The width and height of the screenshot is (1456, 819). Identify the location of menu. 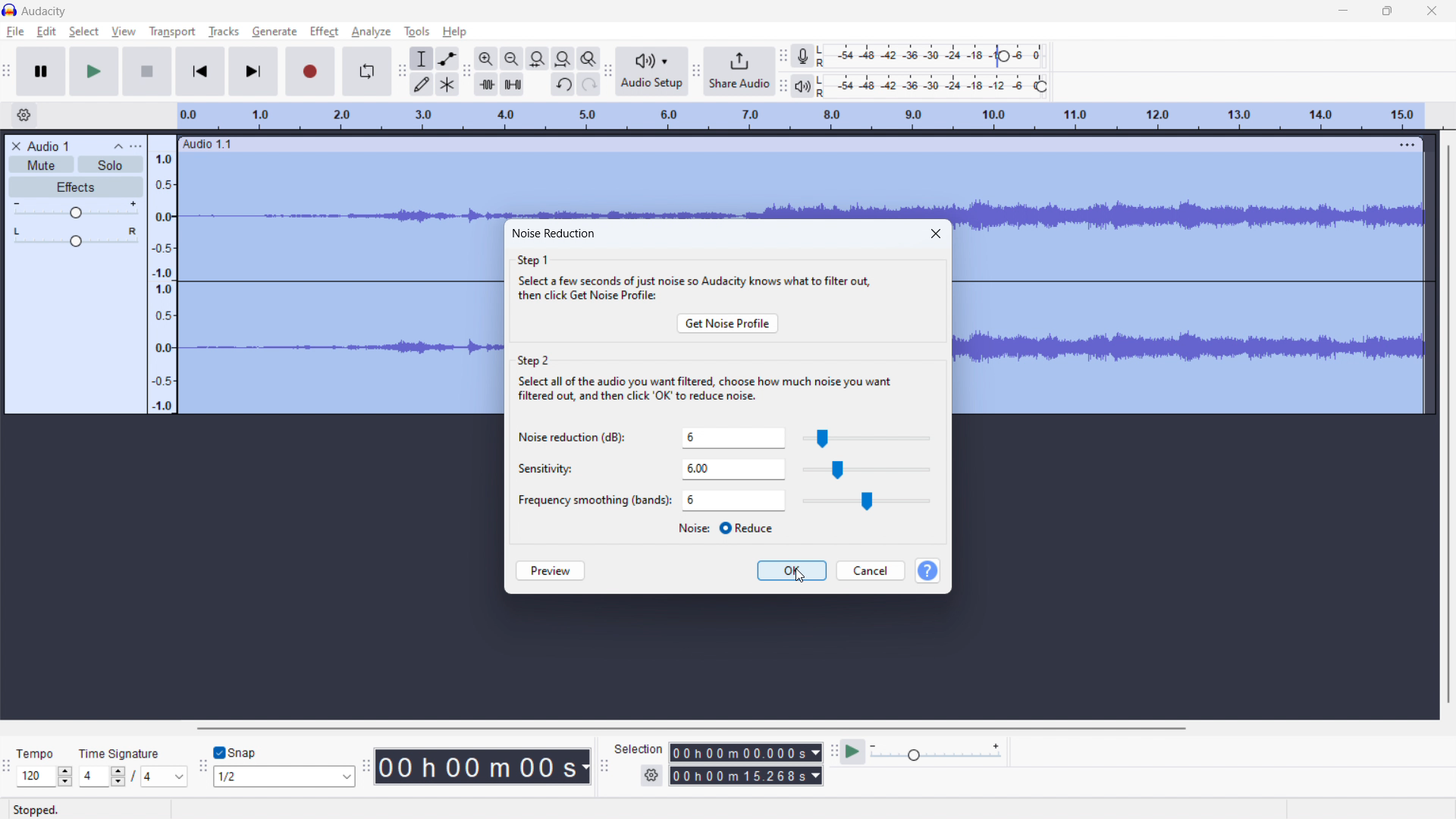
(1405, 145).